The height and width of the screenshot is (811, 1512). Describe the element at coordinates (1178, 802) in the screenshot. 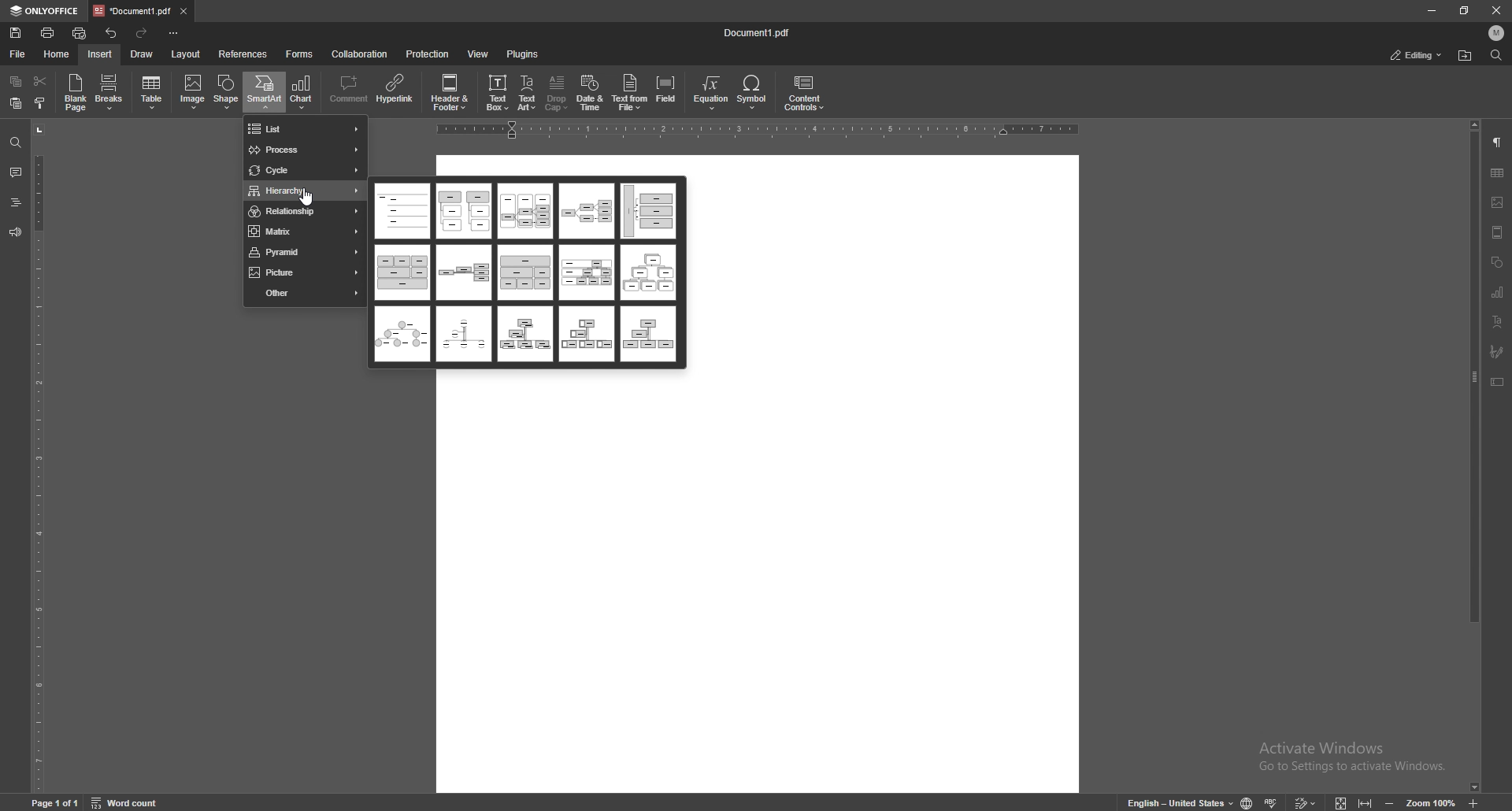

I see `change text language` at that location.